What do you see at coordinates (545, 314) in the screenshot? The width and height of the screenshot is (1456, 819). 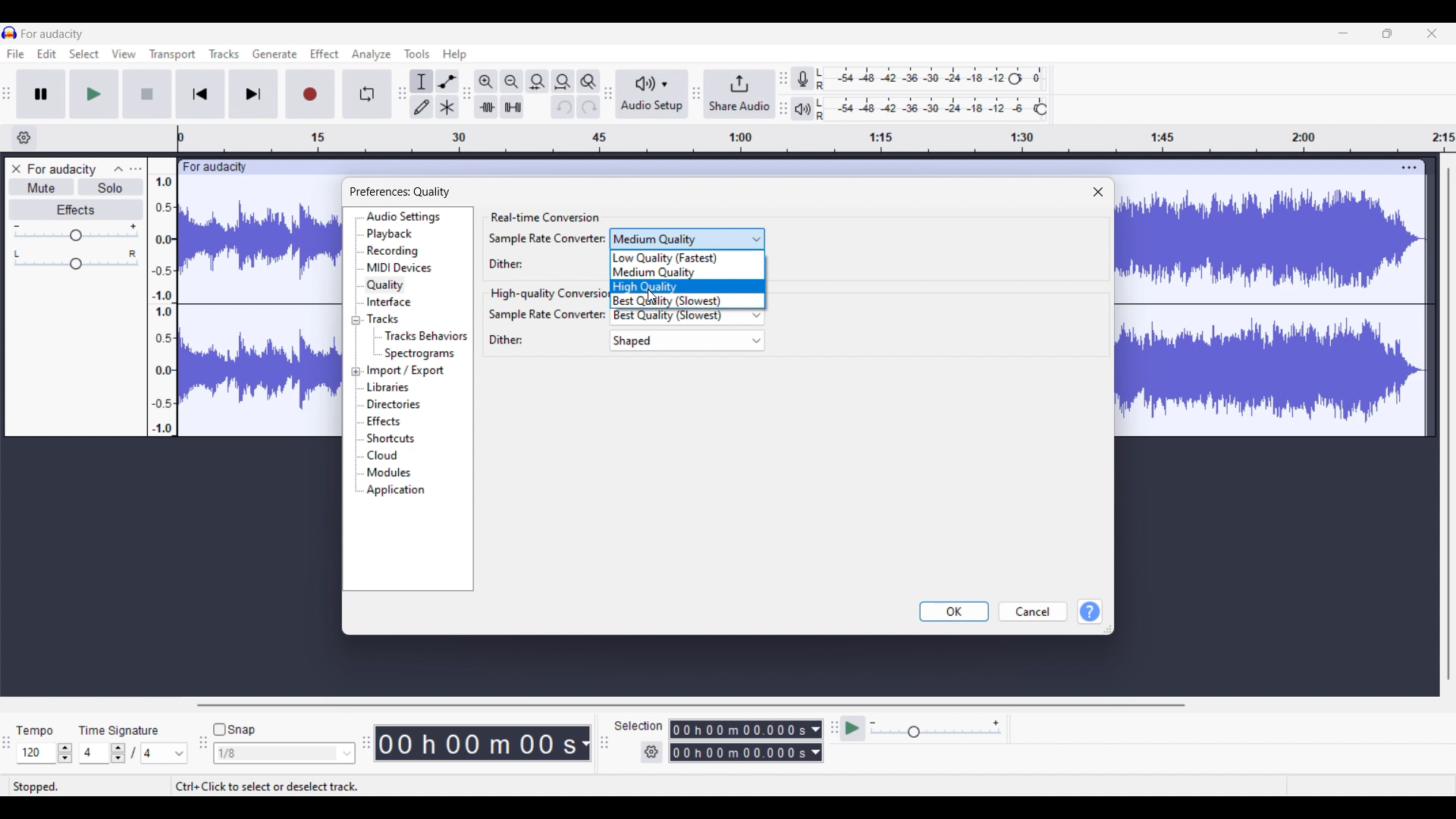 I see `text` at bounding box center [545, 314].